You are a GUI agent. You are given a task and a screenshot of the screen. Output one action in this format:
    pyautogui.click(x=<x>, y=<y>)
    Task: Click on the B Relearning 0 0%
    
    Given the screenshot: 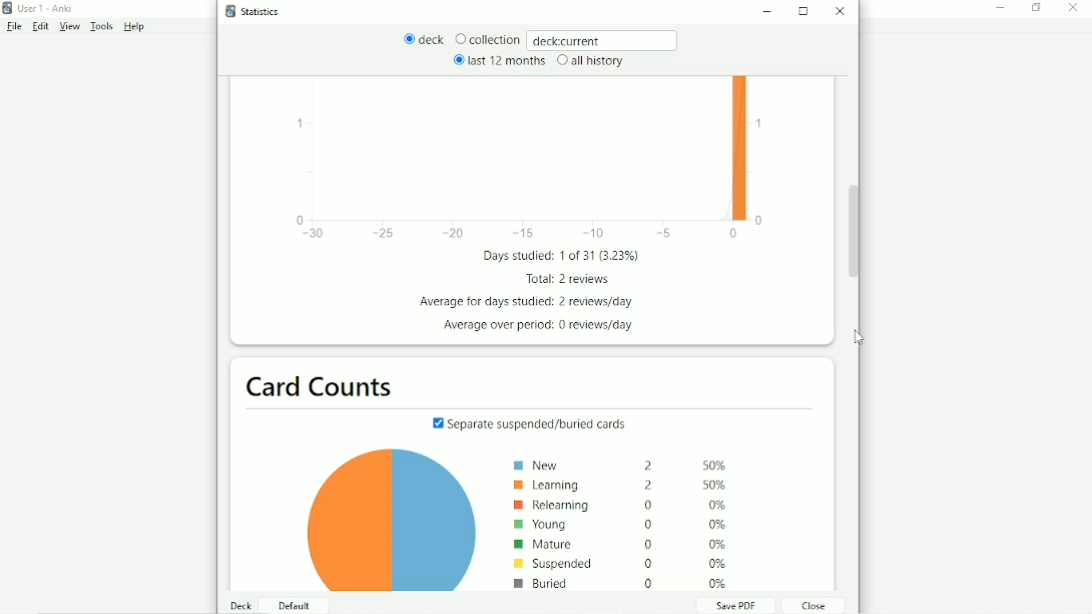 What is the action you would take?
    pyautogui.click(x=623, y=505)
    